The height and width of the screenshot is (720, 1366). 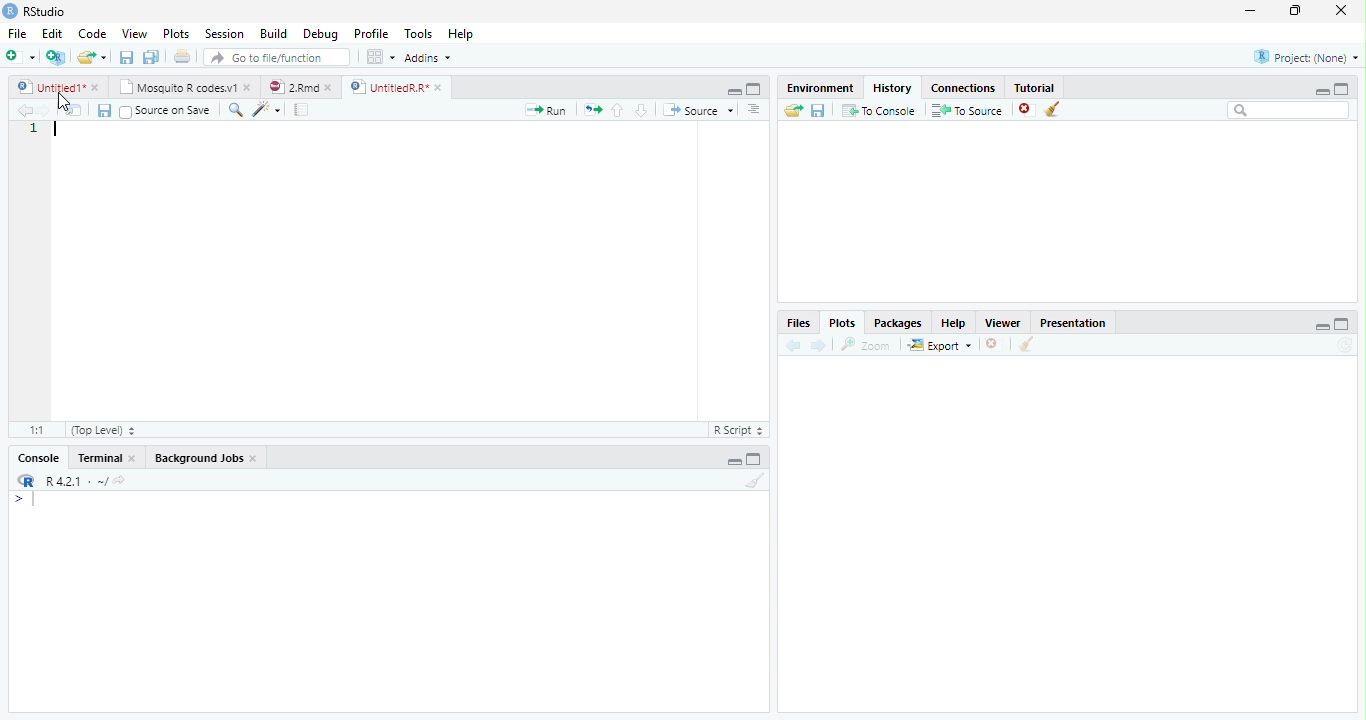 What do you see at coordinates (754, 459) in the screenshot?
I see `Maximize` at bounding box center [754, 459].